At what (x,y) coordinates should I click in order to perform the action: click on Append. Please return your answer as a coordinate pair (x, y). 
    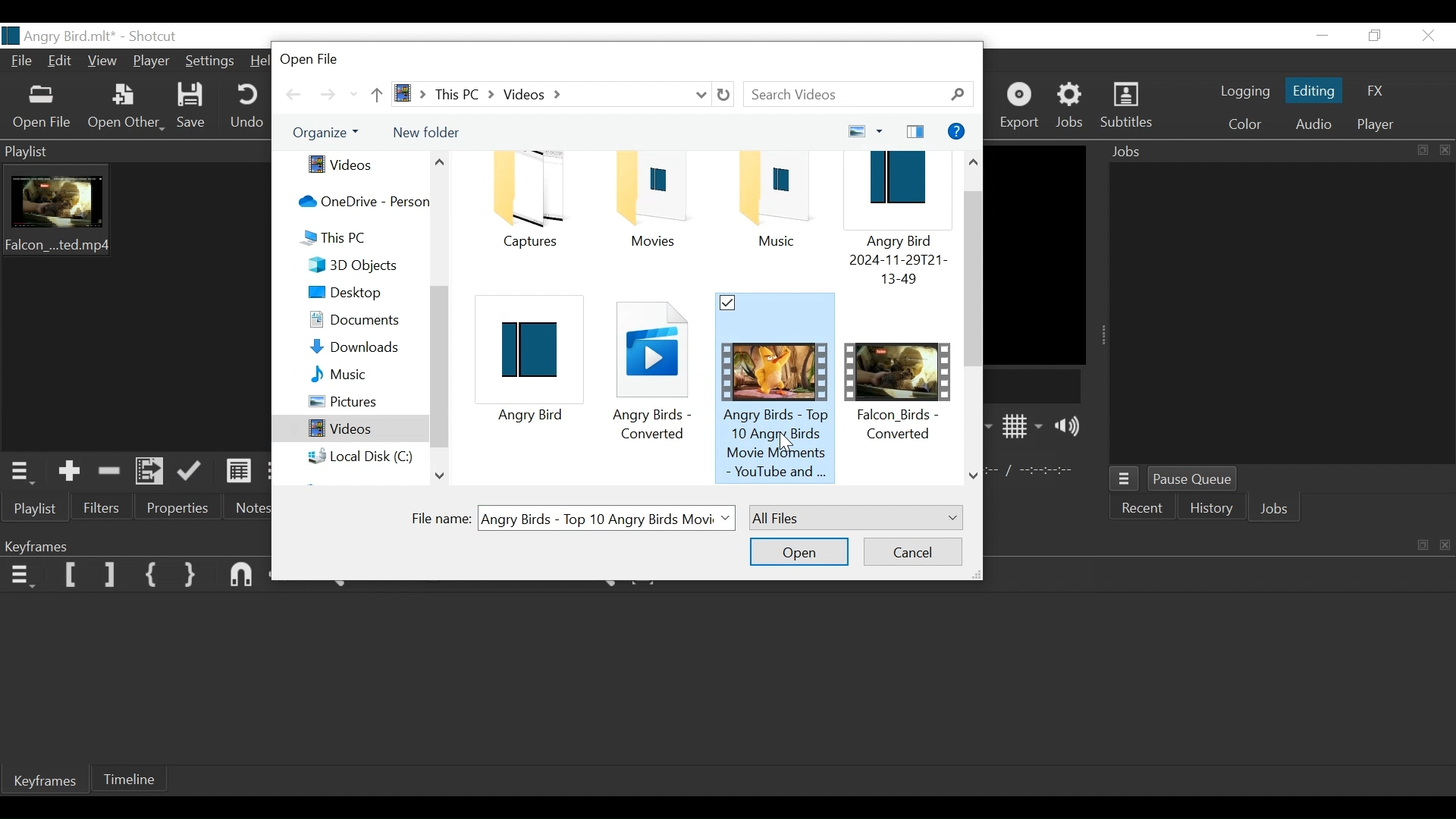
    Looking at the image, I should click on (192, 472).